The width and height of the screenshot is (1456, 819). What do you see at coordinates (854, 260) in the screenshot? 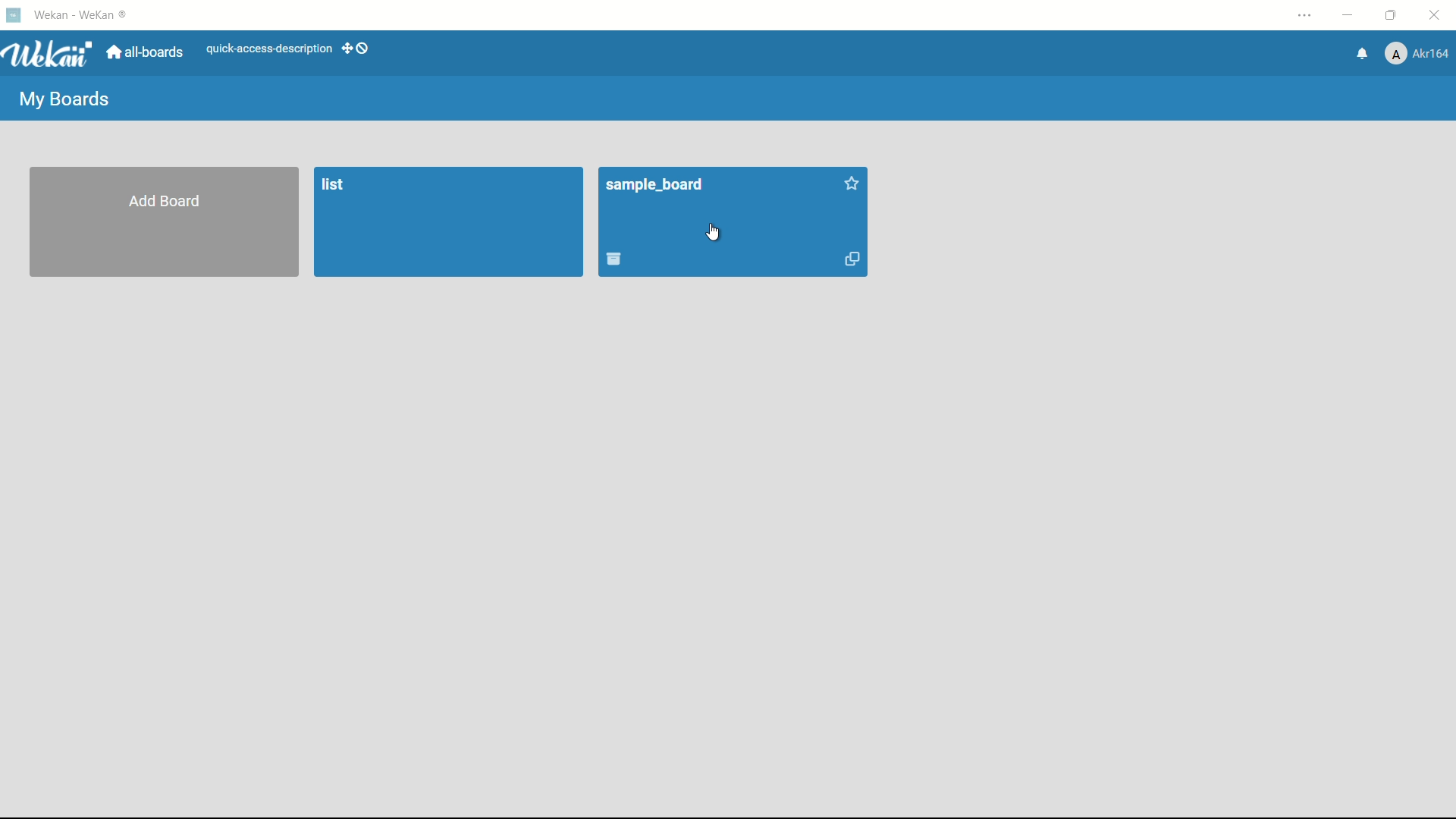
I see `duplicate board` at bounding box center [854, 260].